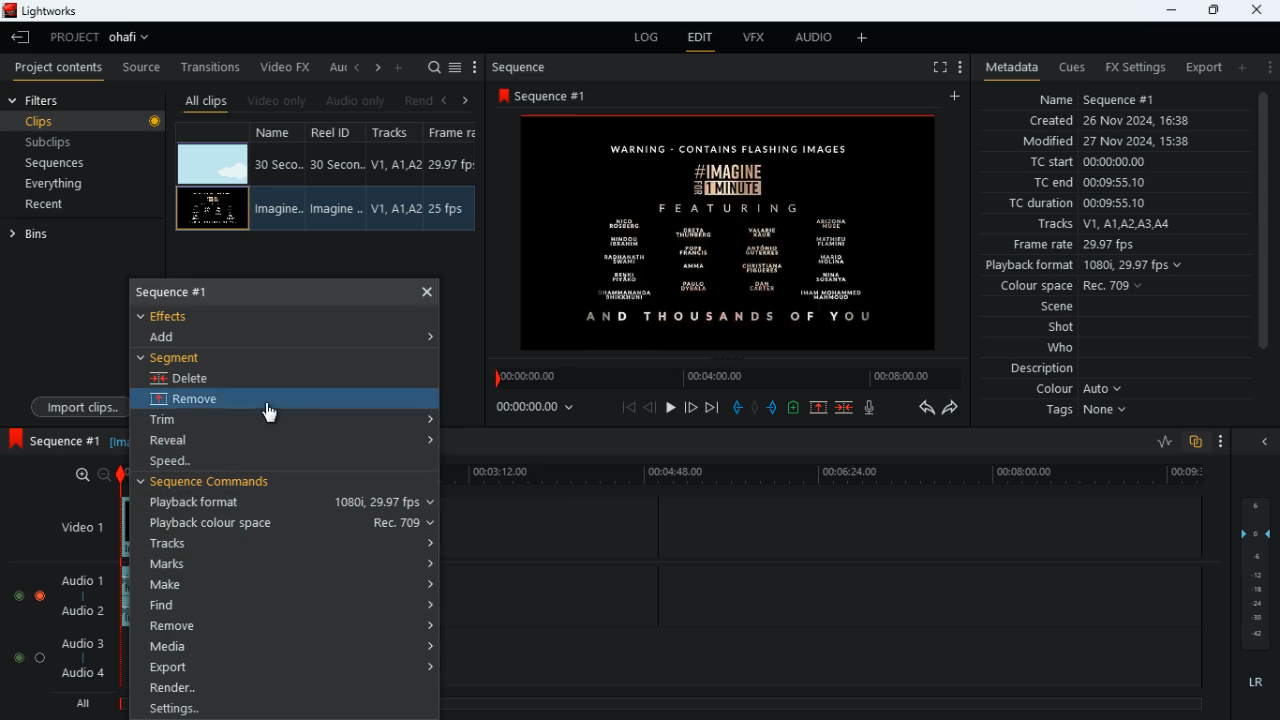 This screenshot has height=720, width=1280. I want to click on back, so click(650, 407).